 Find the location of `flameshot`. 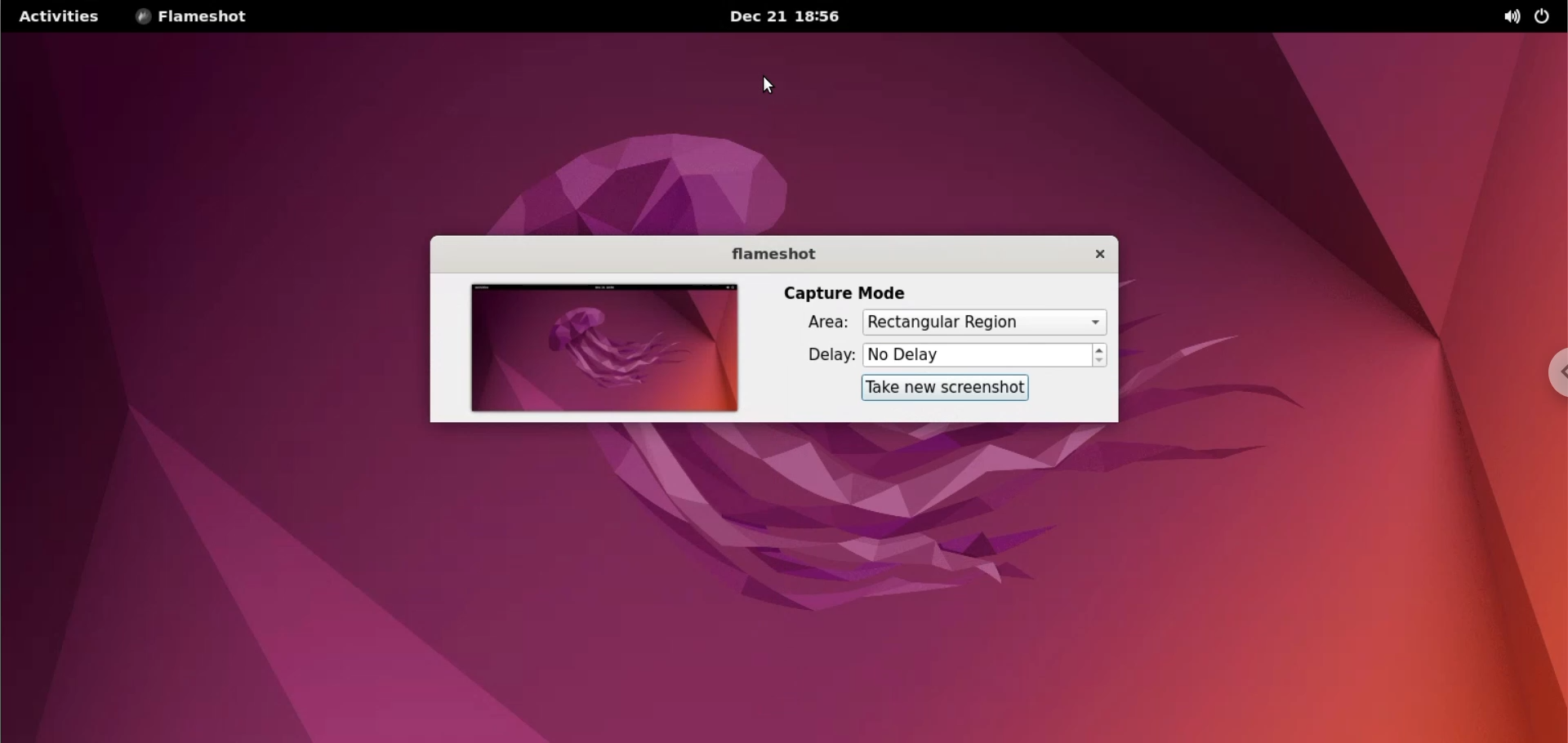

flameshot is located at coordinates (773, 258).